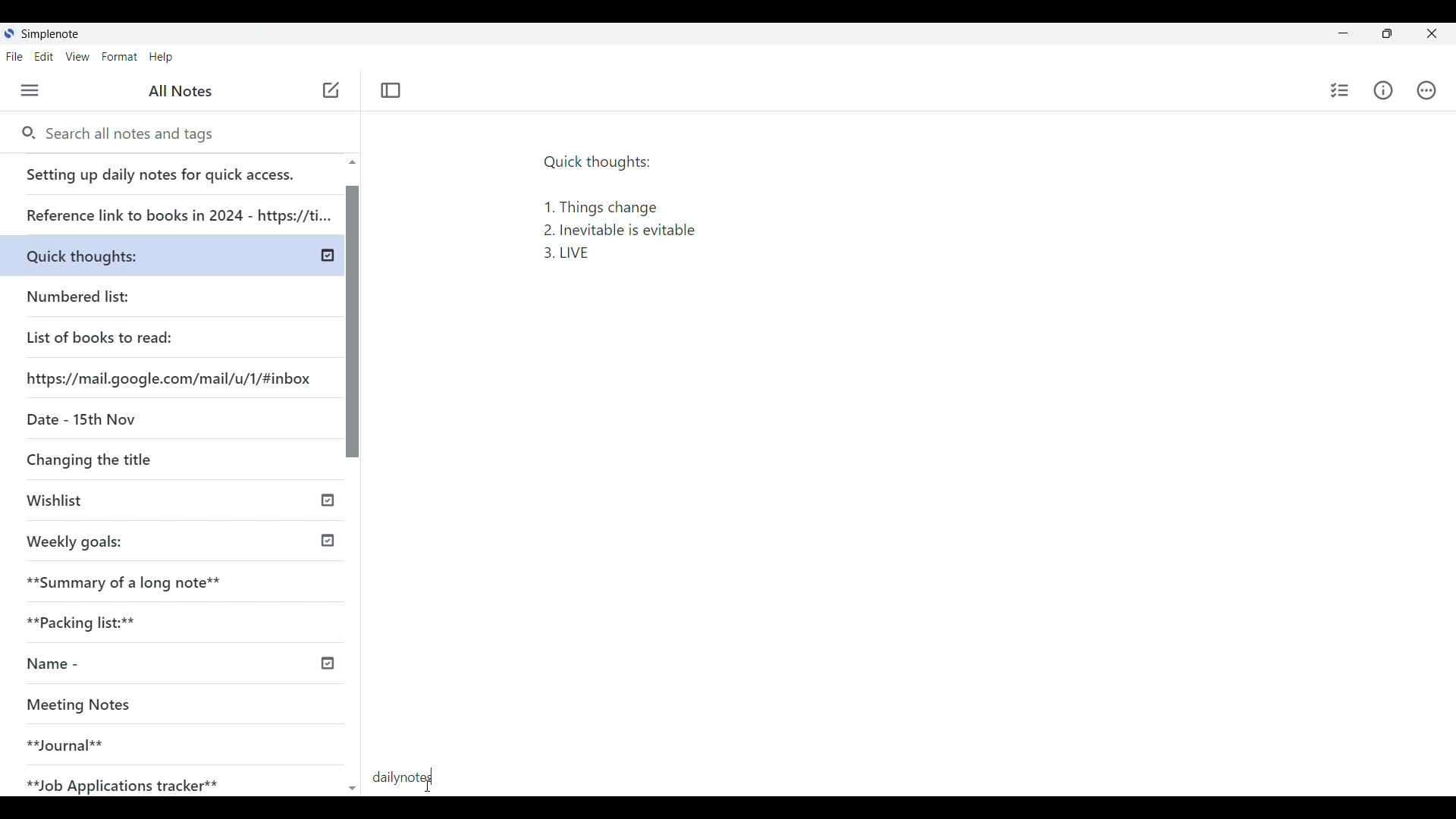 Image resolution: width=1456 pixels, height=819 pixels. I want to click on Software note, so click(55, 33).